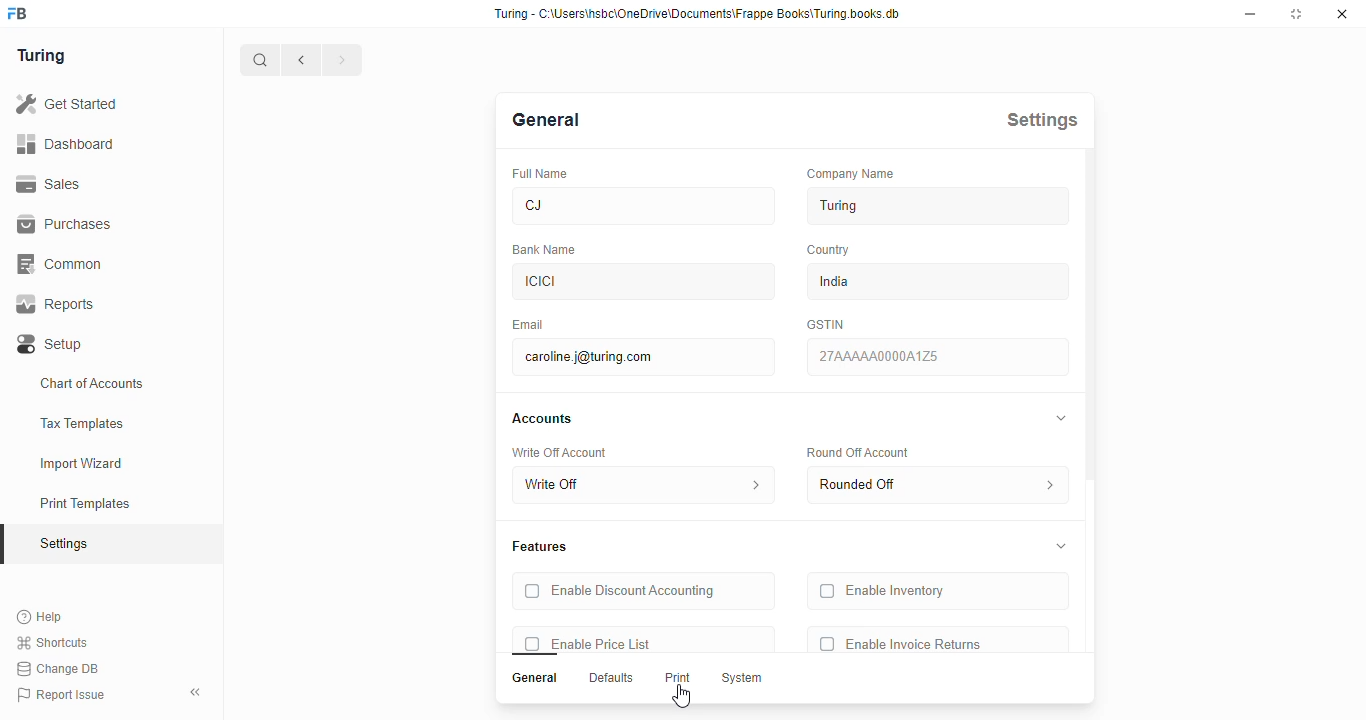 This screenshot has height=720, width=1366. I want to click on India, so click(938, 281).